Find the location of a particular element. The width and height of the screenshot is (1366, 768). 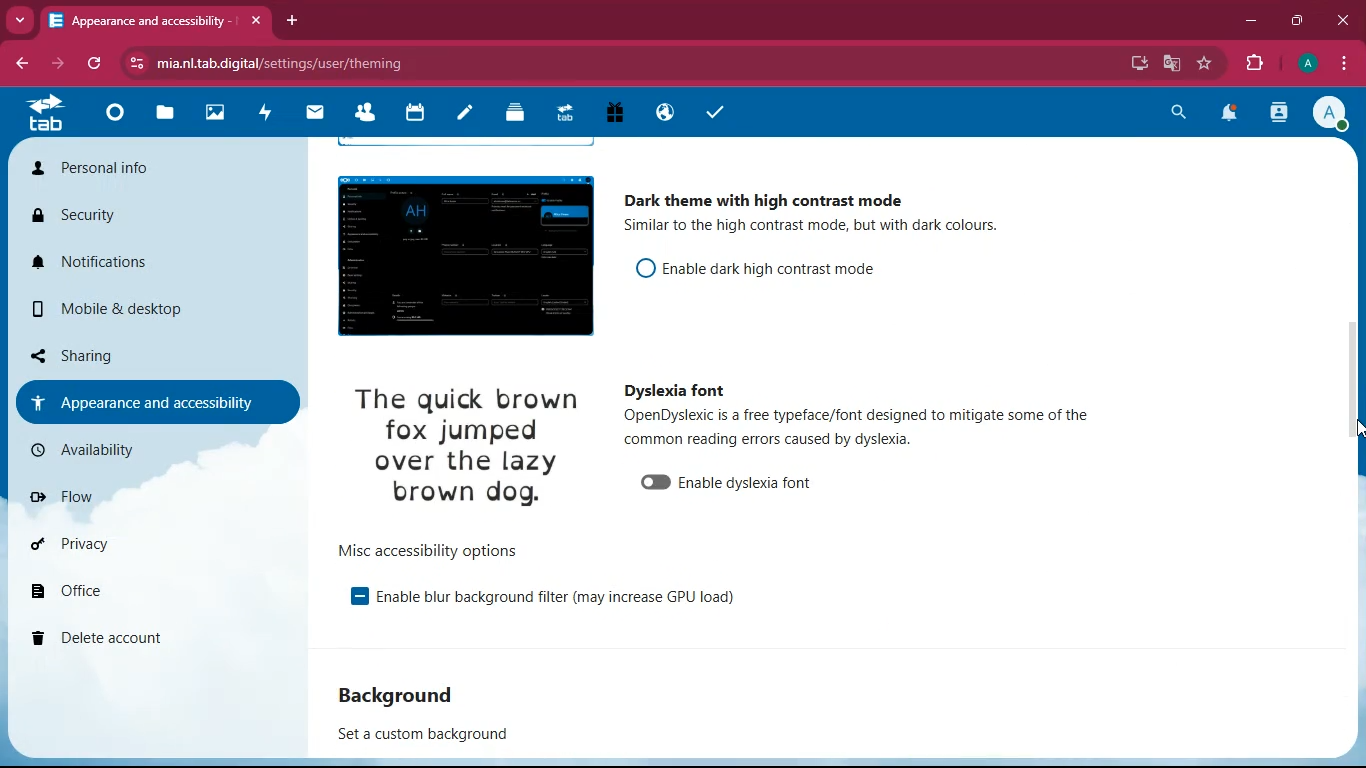

profile is located at coordinates (1307, 63).